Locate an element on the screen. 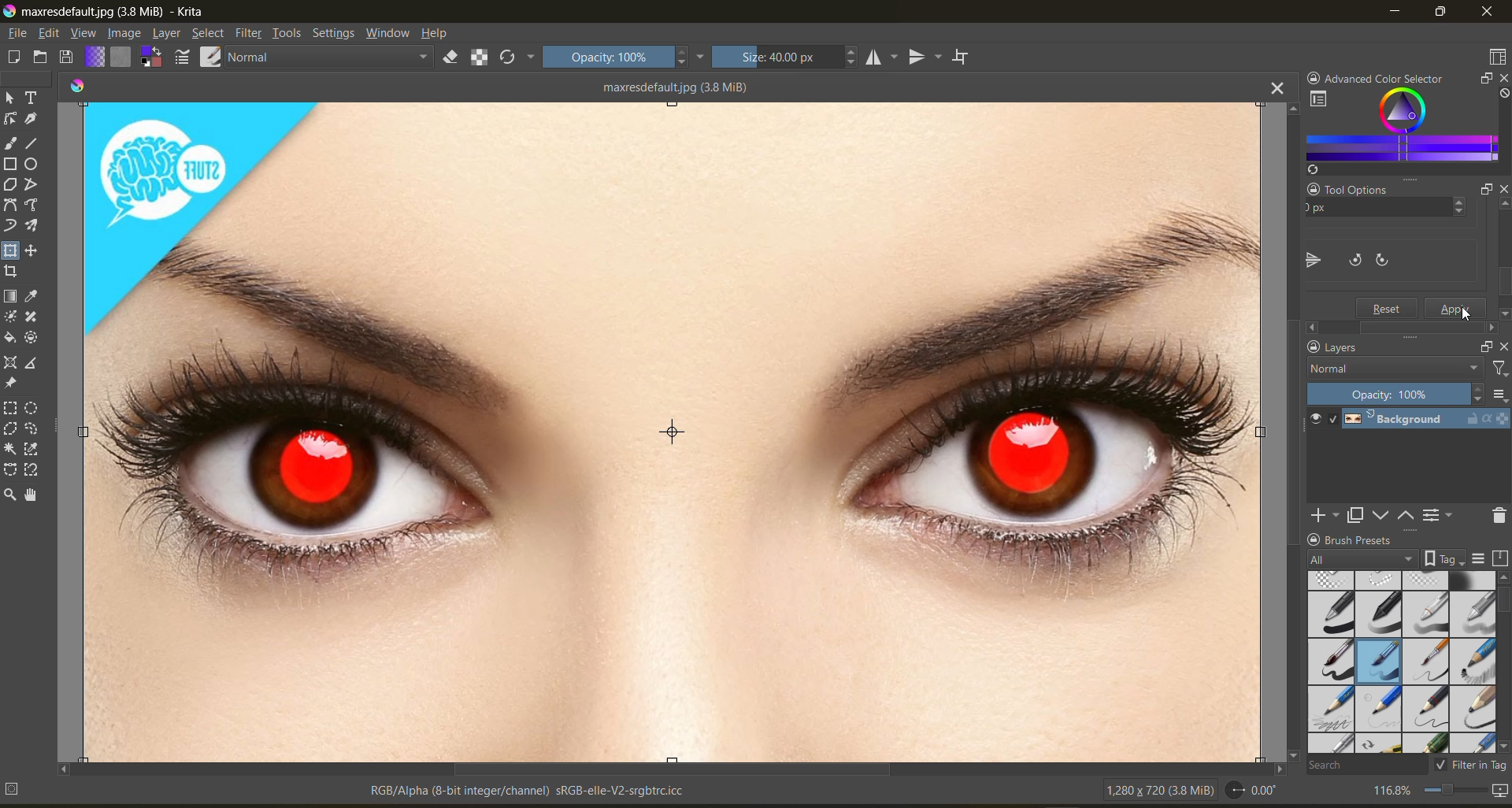  close tab is located at coordinates (1273, 90).